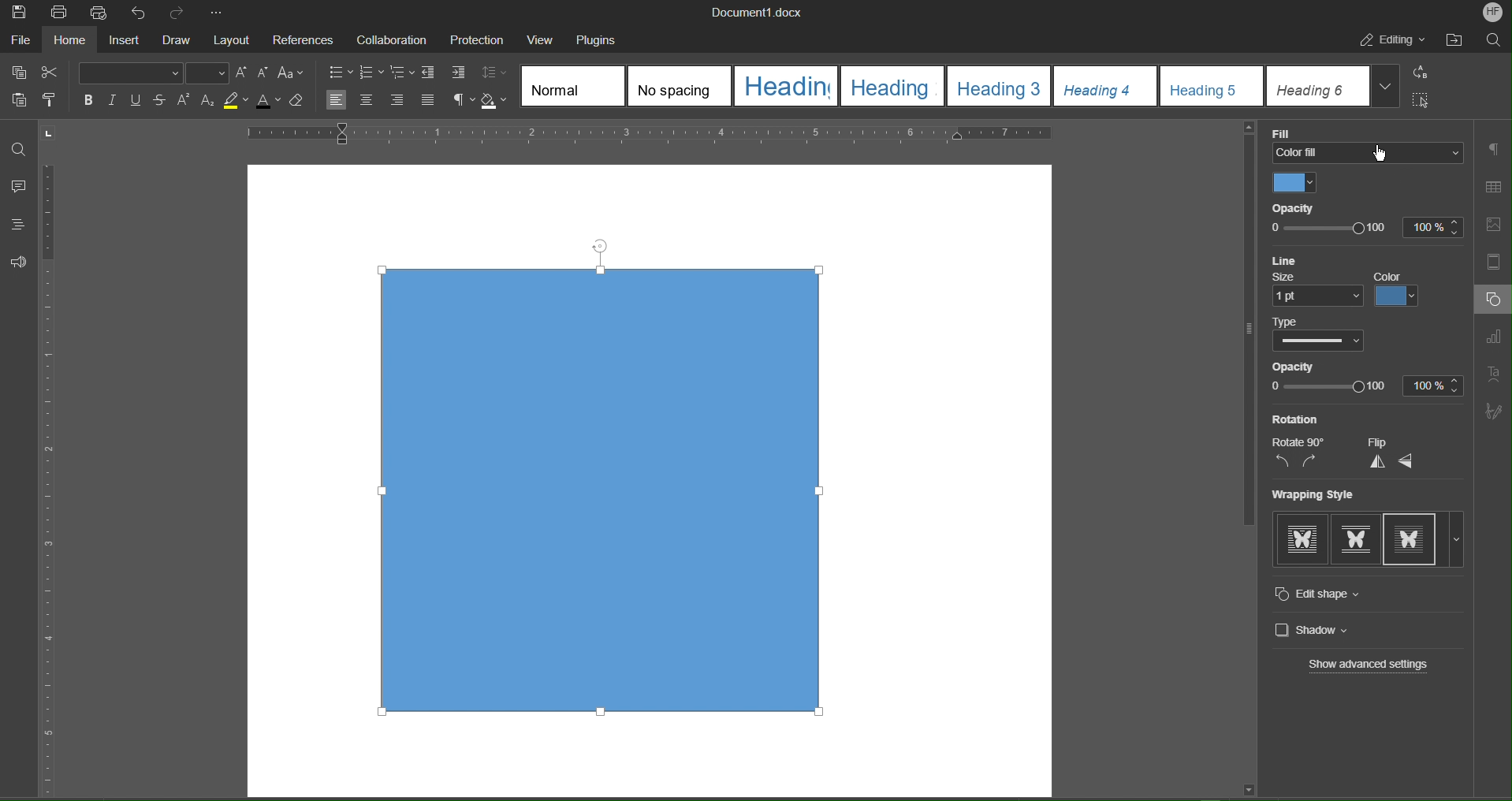 Image resolution: width=1512 pixels, height=801 pixels. What do you see at coordinates (1459, 543) in the screenshot?
I see `More options` at bounding box center [1459, 543].